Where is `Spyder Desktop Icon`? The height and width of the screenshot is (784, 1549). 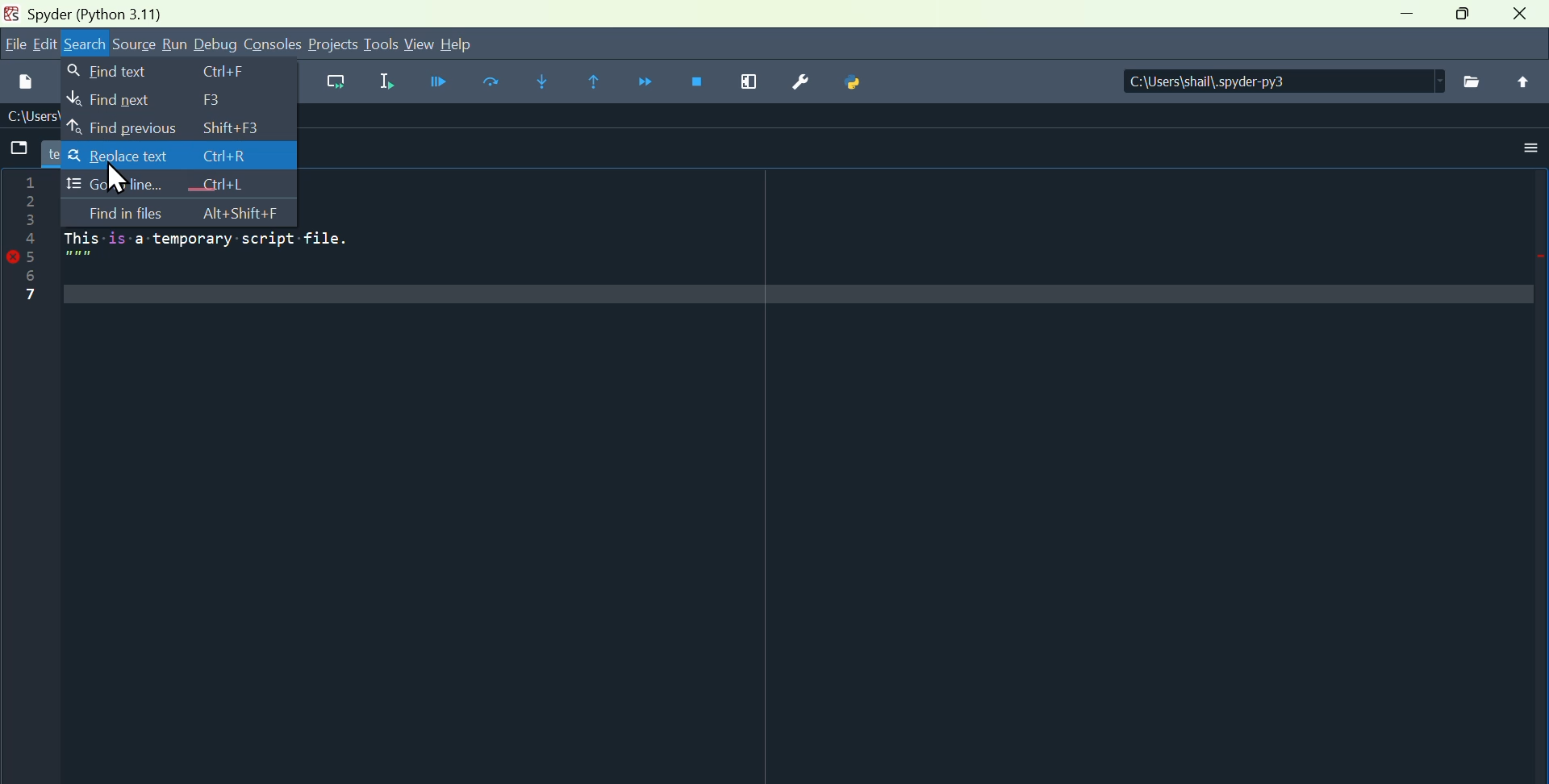
Spyder Desktop Icon is located at coordinates (10, 14).